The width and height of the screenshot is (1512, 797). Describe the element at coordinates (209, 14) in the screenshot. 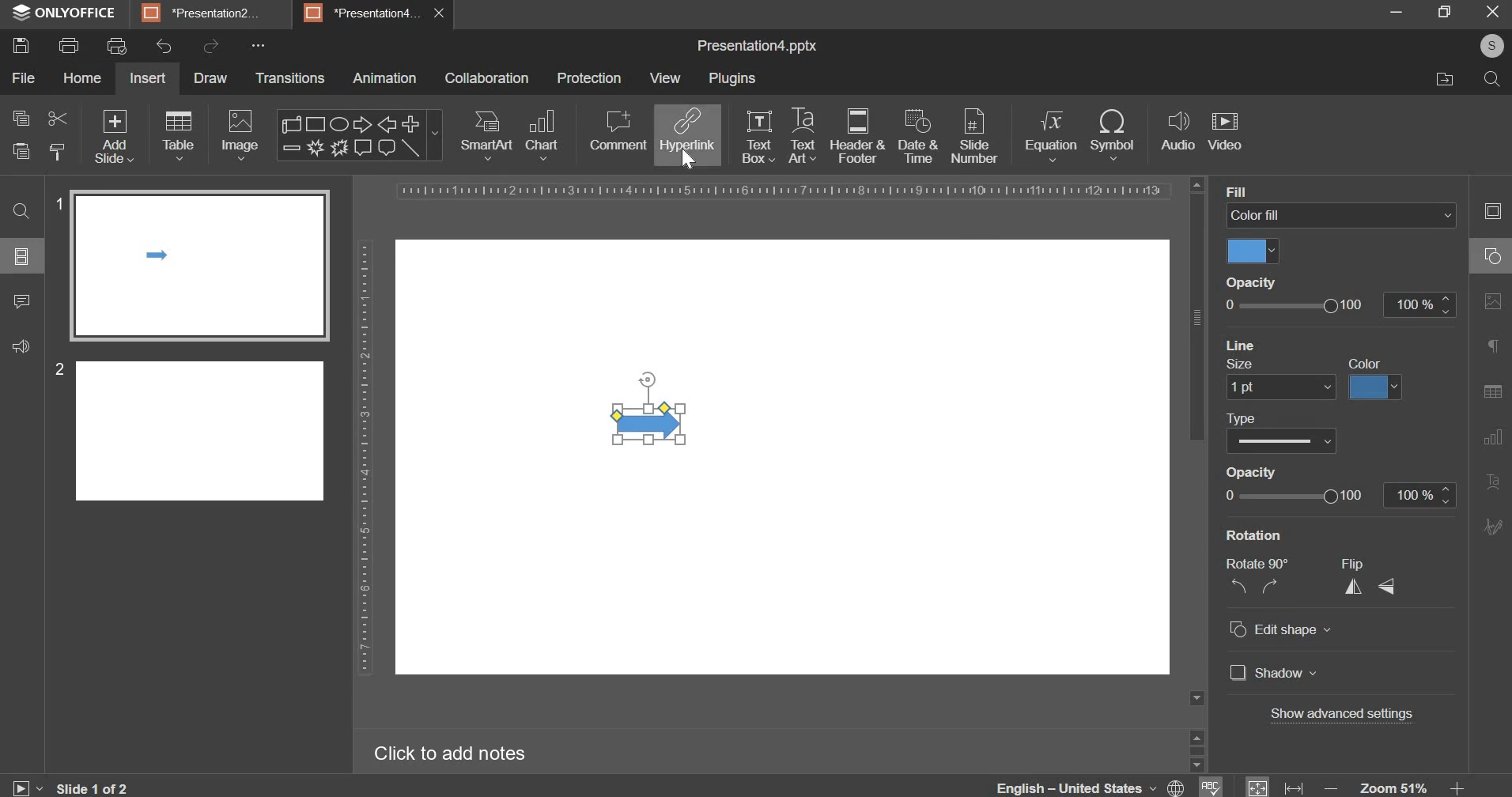

I see `[] *Presentation?` at that location.